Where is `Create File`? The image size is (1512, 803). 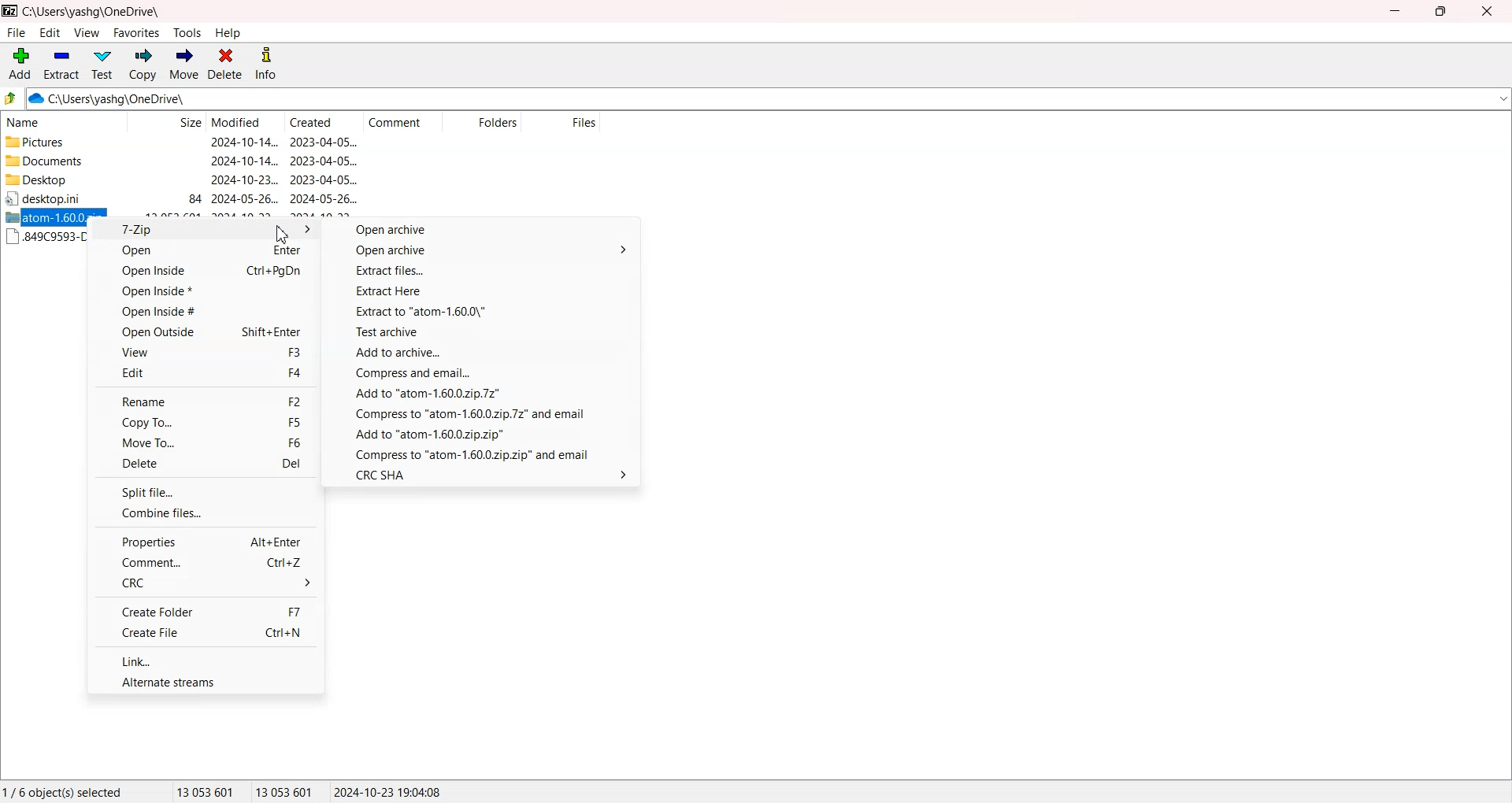
Create File is located at coordinates (206, 633).